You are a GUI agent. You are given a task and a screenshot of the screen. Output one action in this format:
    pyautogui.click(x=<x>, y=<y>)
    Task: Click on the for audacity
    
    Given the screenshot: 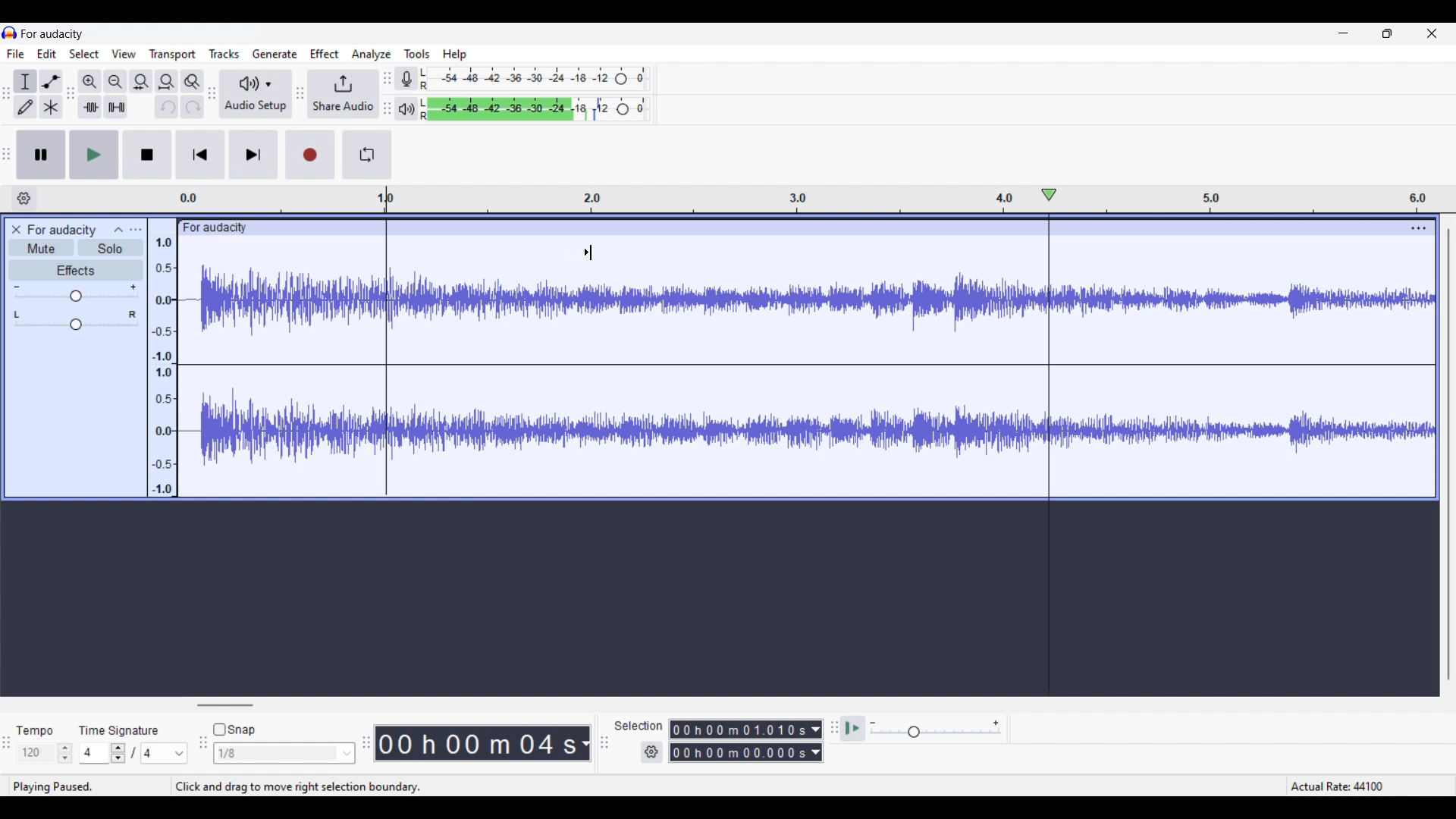 What is the action you would take?
    pyautogui.click(x=52, y=34)
    